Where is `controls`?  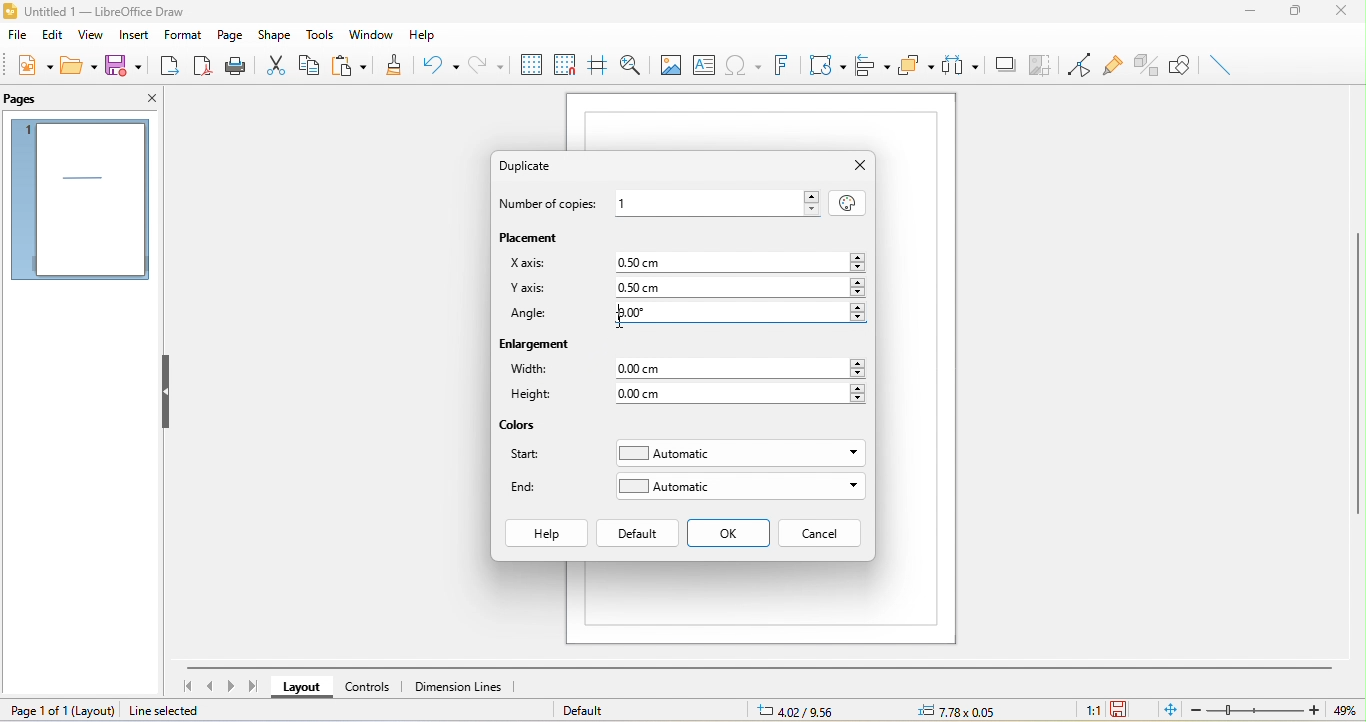
controls is located at coordinates (371, 686).